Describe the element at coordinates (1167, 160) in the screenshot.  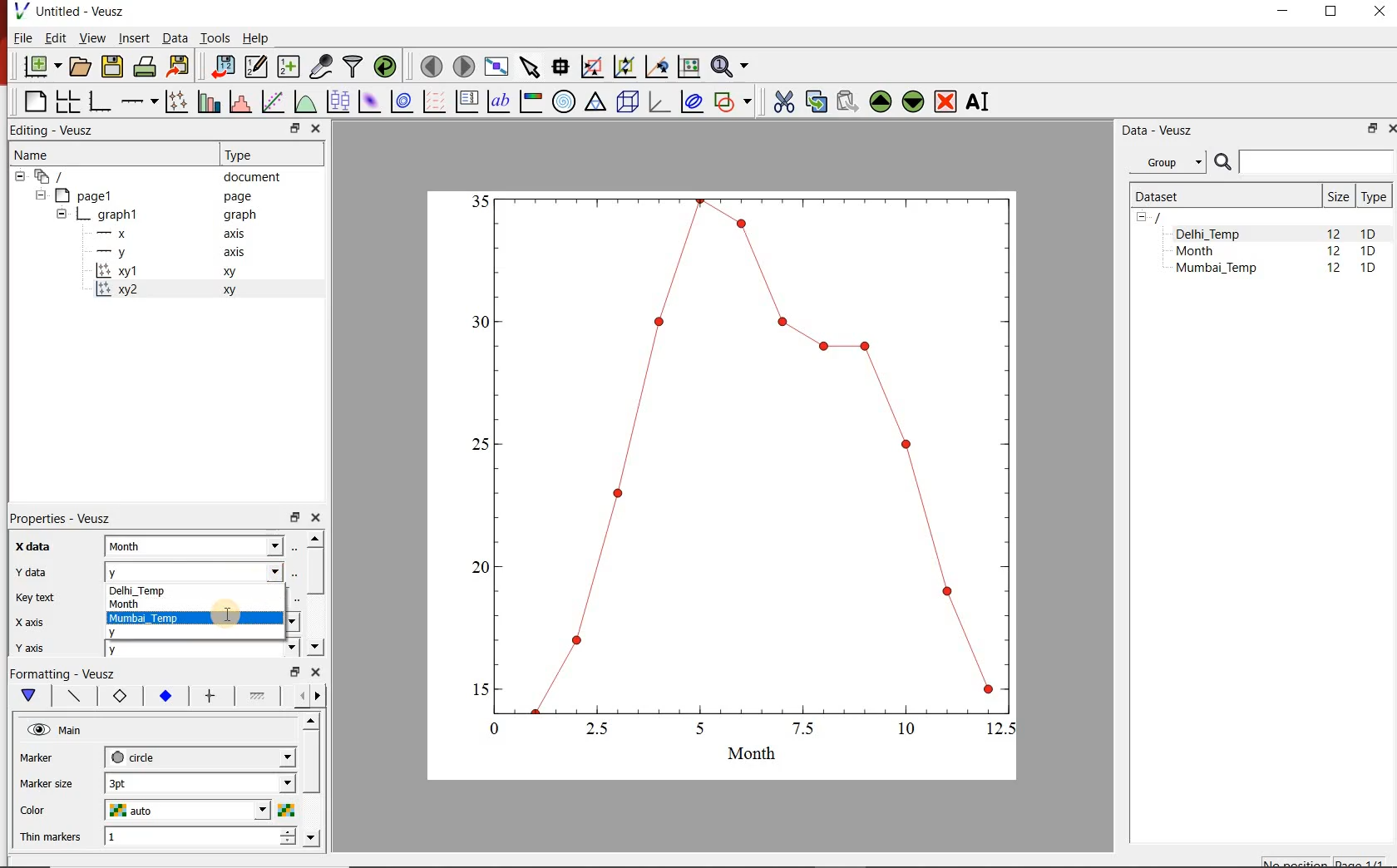
I see `Group` at that location.